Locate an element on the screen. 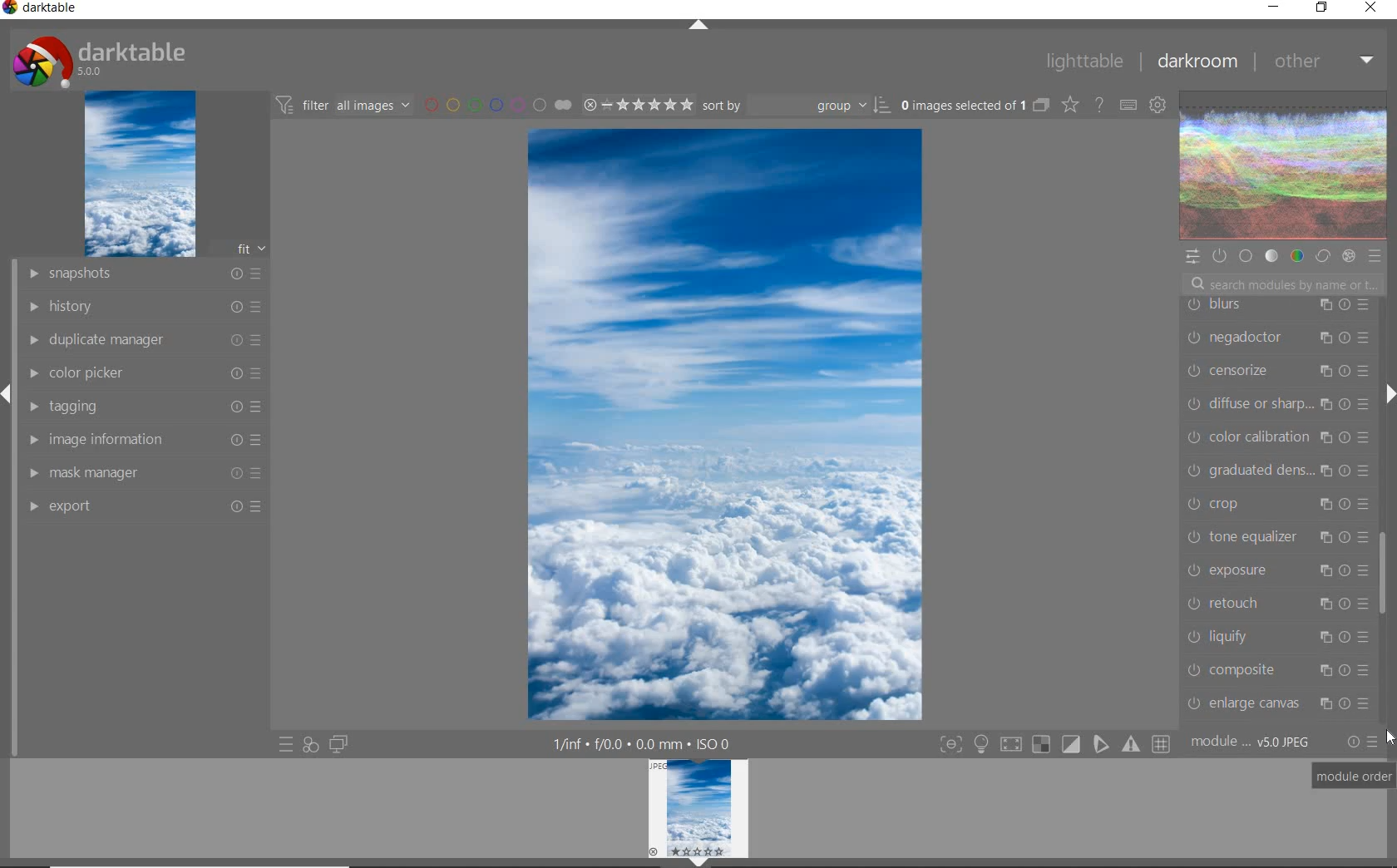 This screenshot has width=1397, height=868. IMAGE INFORMATION is located at coordinates (147, 439).